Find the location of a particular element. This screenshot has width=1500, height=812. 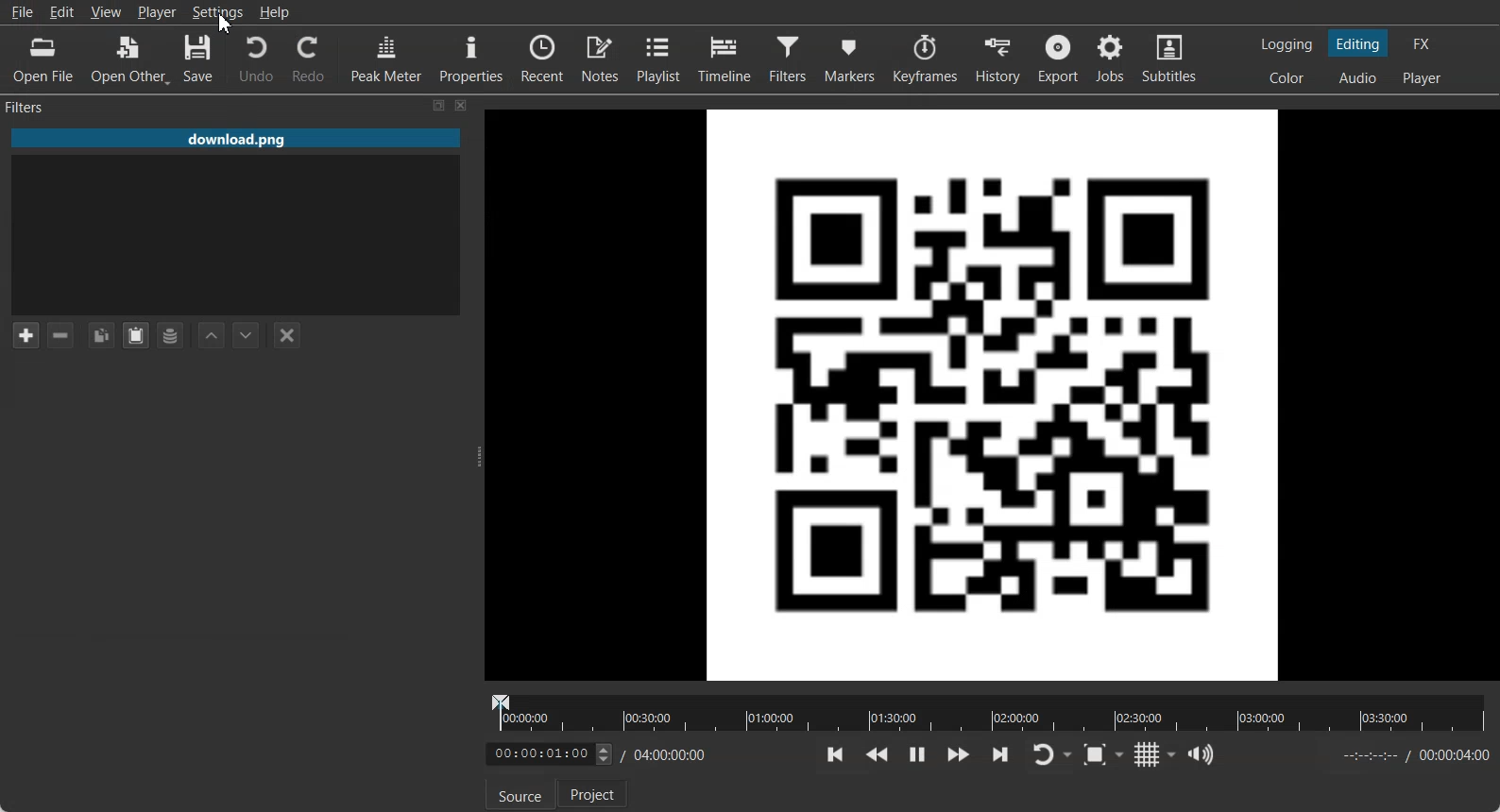

Video slider is located at coordinates (985, 713).